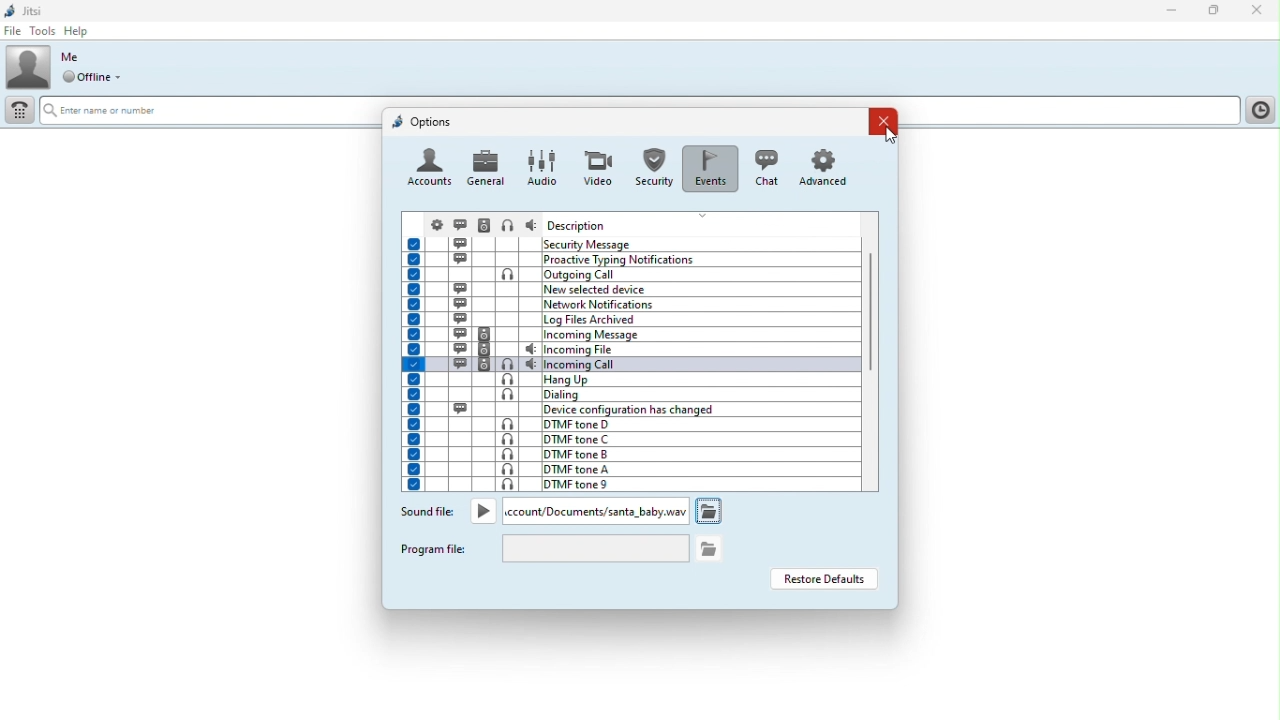 This screenshot has width=1280, height=720. What do you see at coordinates (596, 511) in the screenshot?
I see `New ringtone file path` at bounding box center [596, 511].